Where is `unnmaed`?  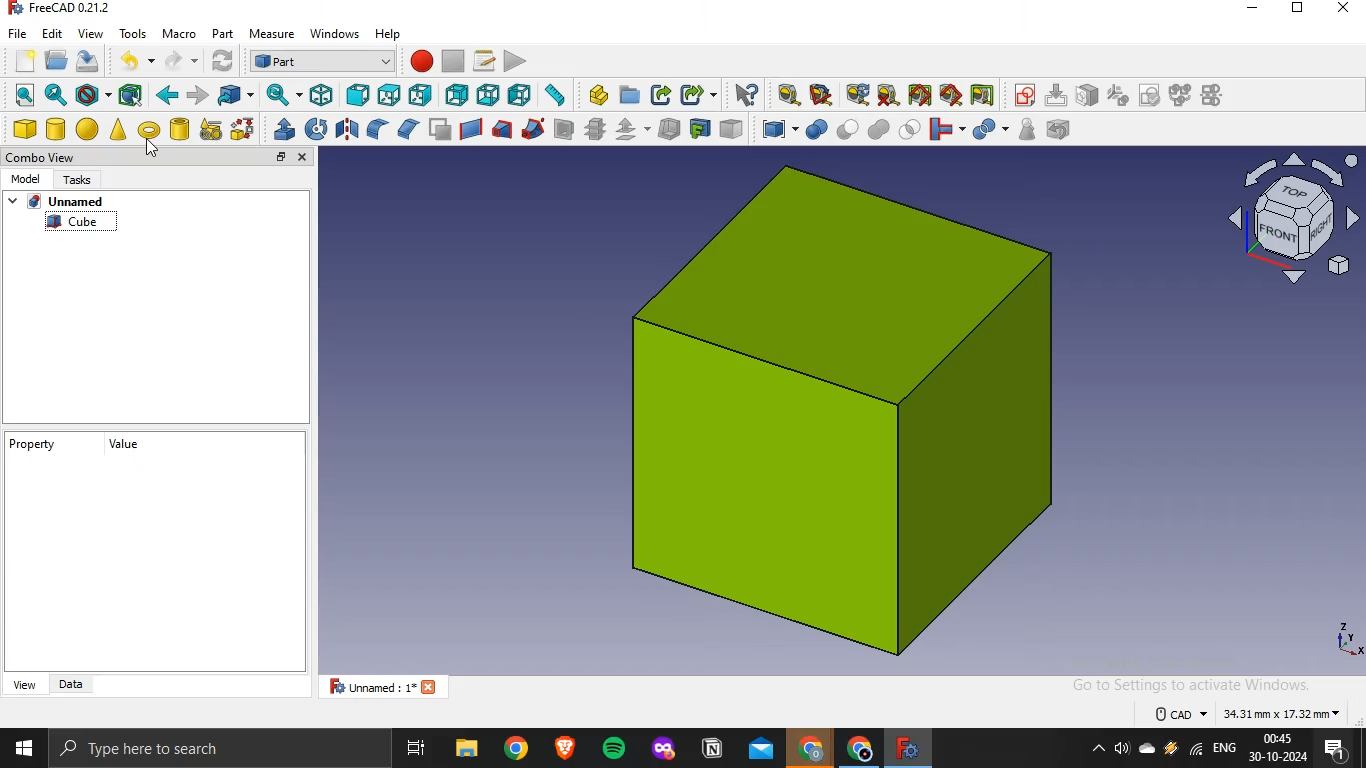
unnmaed is located at coordinates (76, 202).